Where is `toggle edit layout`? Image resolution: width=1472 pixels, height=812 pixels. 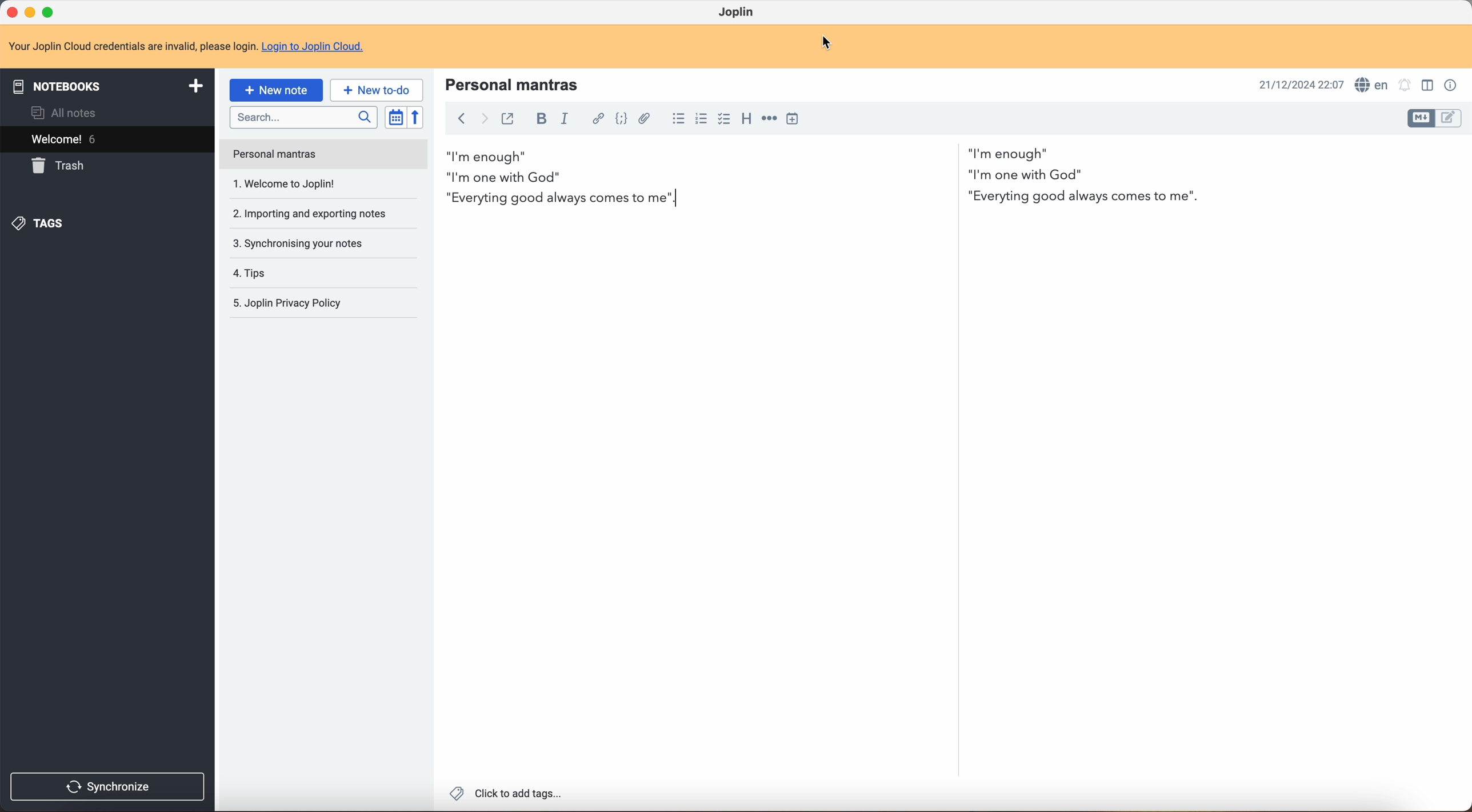
toggle edit layout is located at coordinates (1430, 85).